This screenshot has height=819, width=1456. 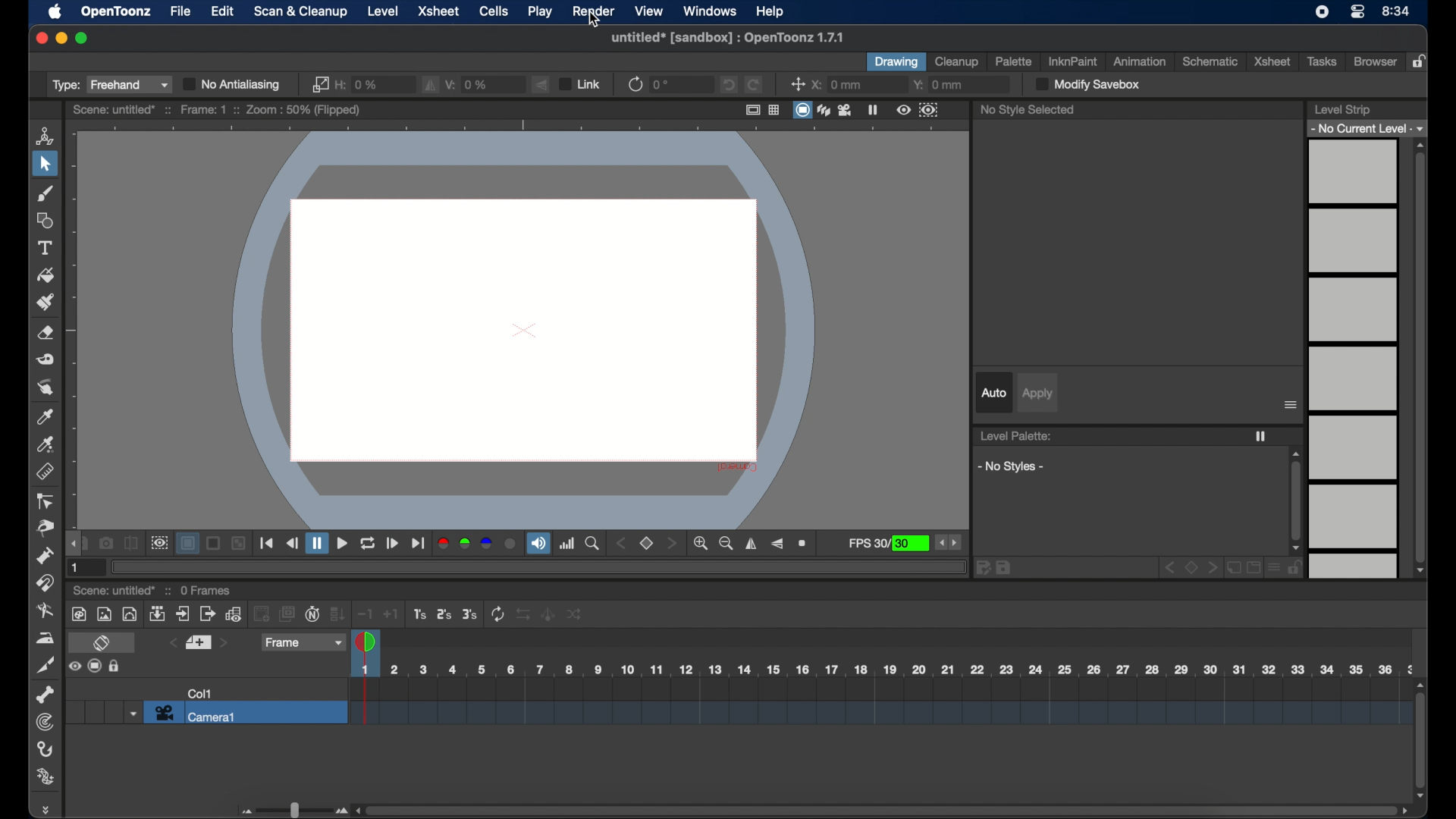 What do you see at coordinates (289, 614) in the screenshot?
I see `` at bounding box center [289, 614].